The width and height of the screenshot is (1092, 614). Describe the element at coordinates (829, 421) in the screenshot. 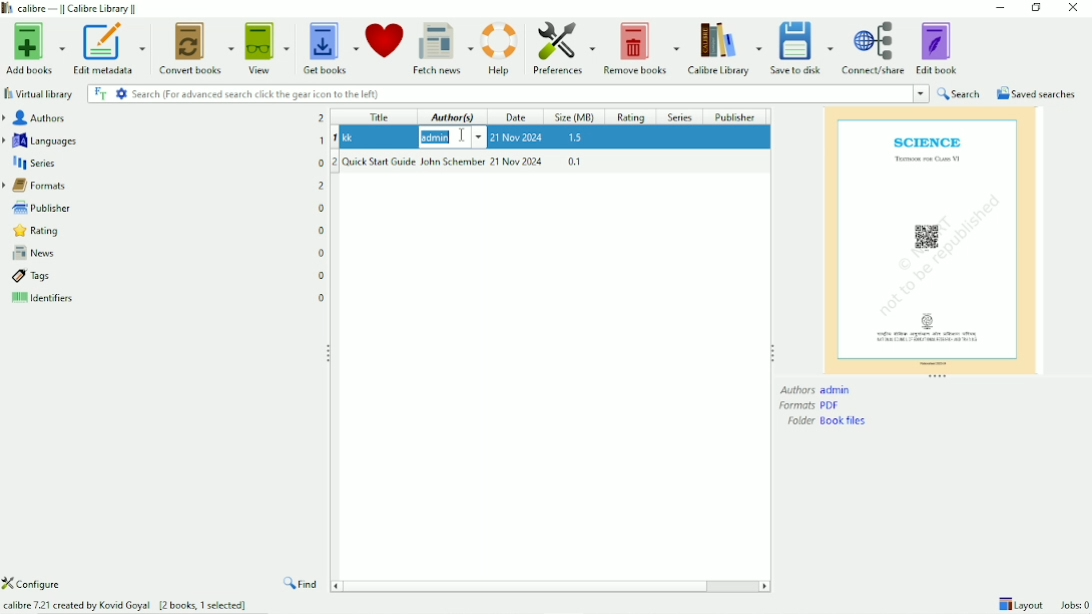

I see `Folder` at that location.